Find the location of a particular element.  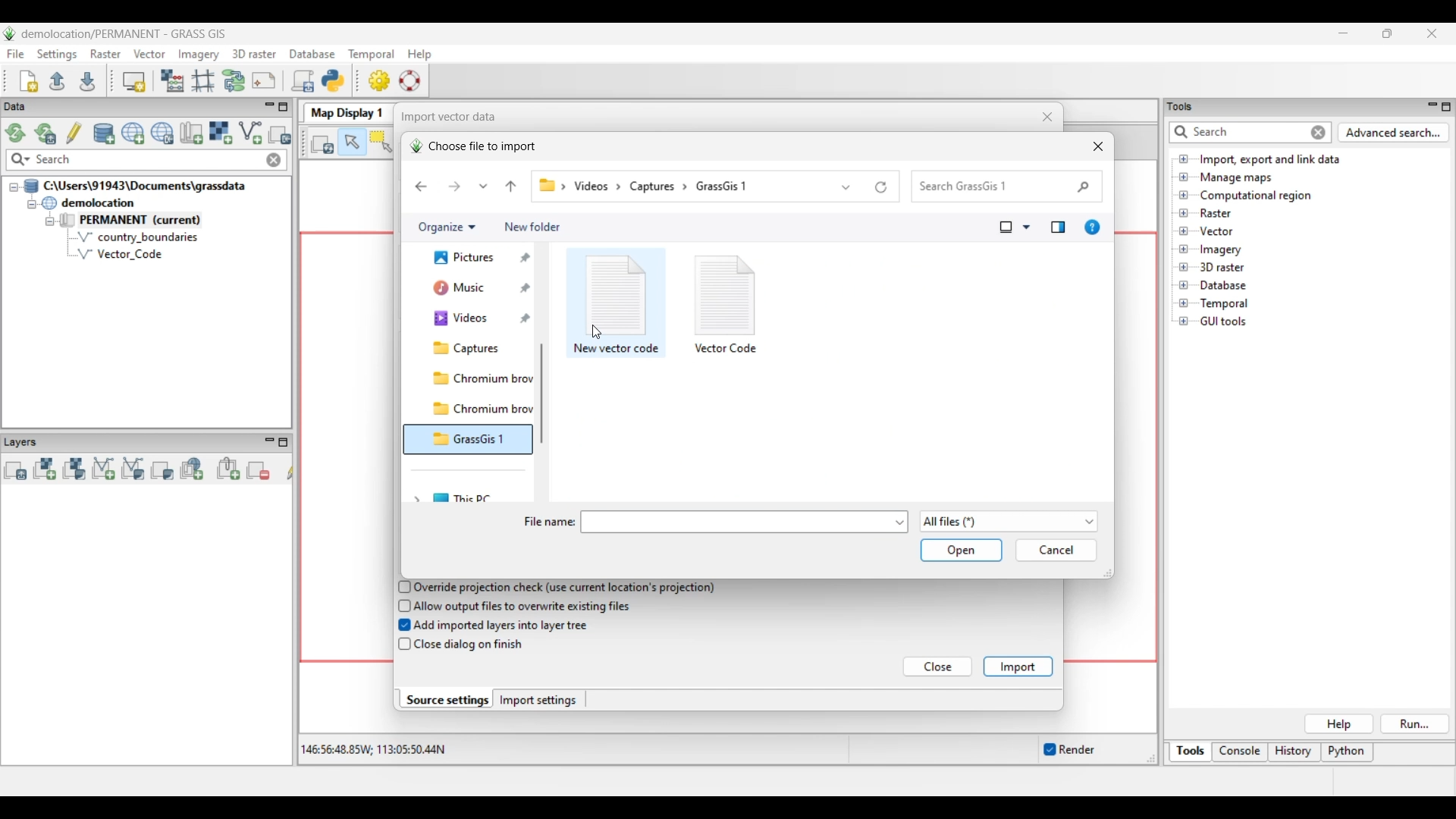

New vector code file selected is located at coordinates (615, 350).